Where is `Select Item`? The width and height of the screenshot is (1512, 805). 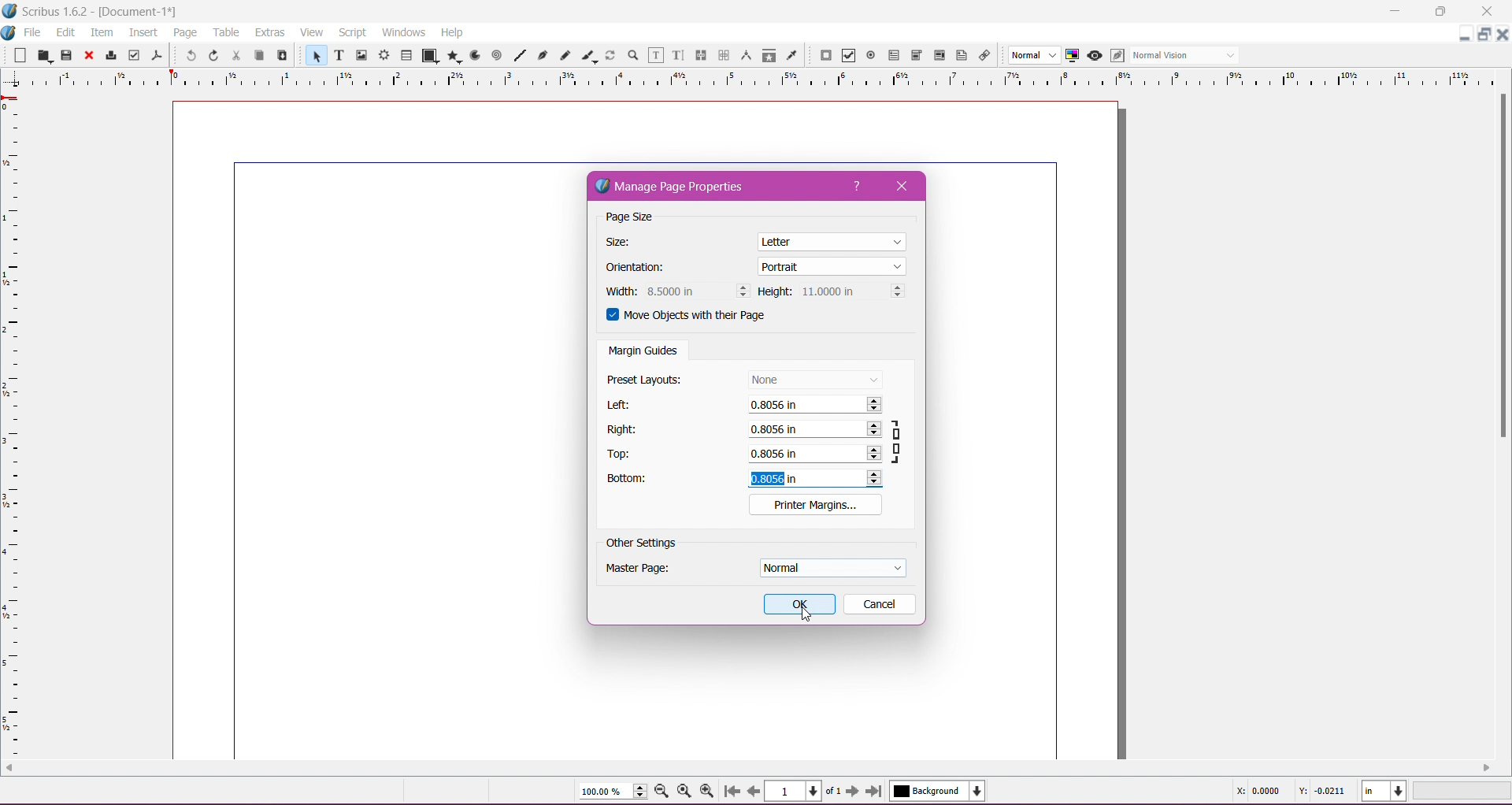
Select Item is located at coordinates (313, 56).